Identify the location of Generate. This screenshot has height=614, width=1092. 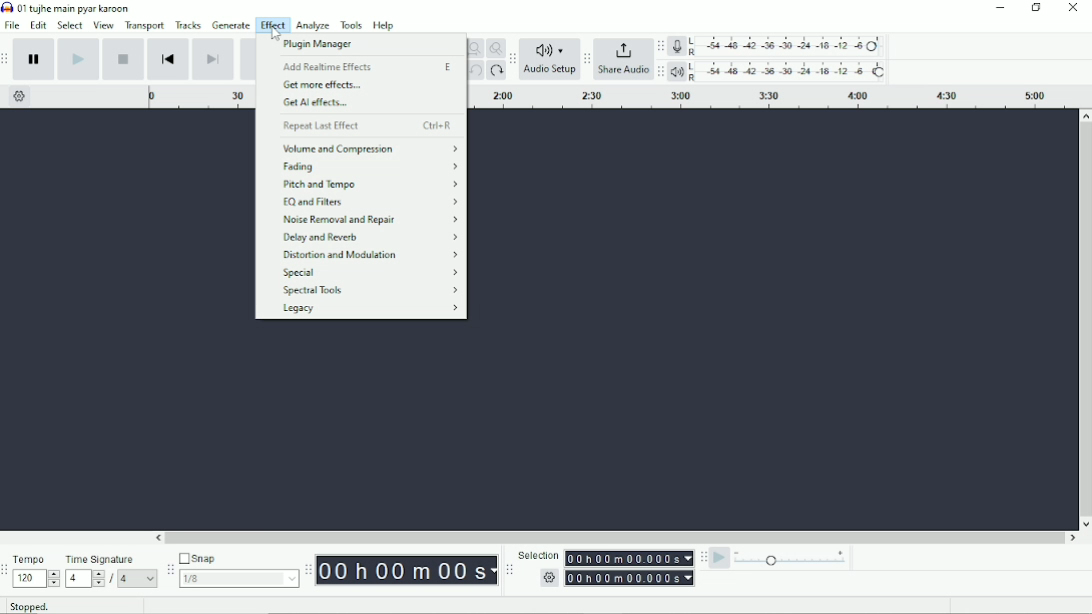
(232, 25).